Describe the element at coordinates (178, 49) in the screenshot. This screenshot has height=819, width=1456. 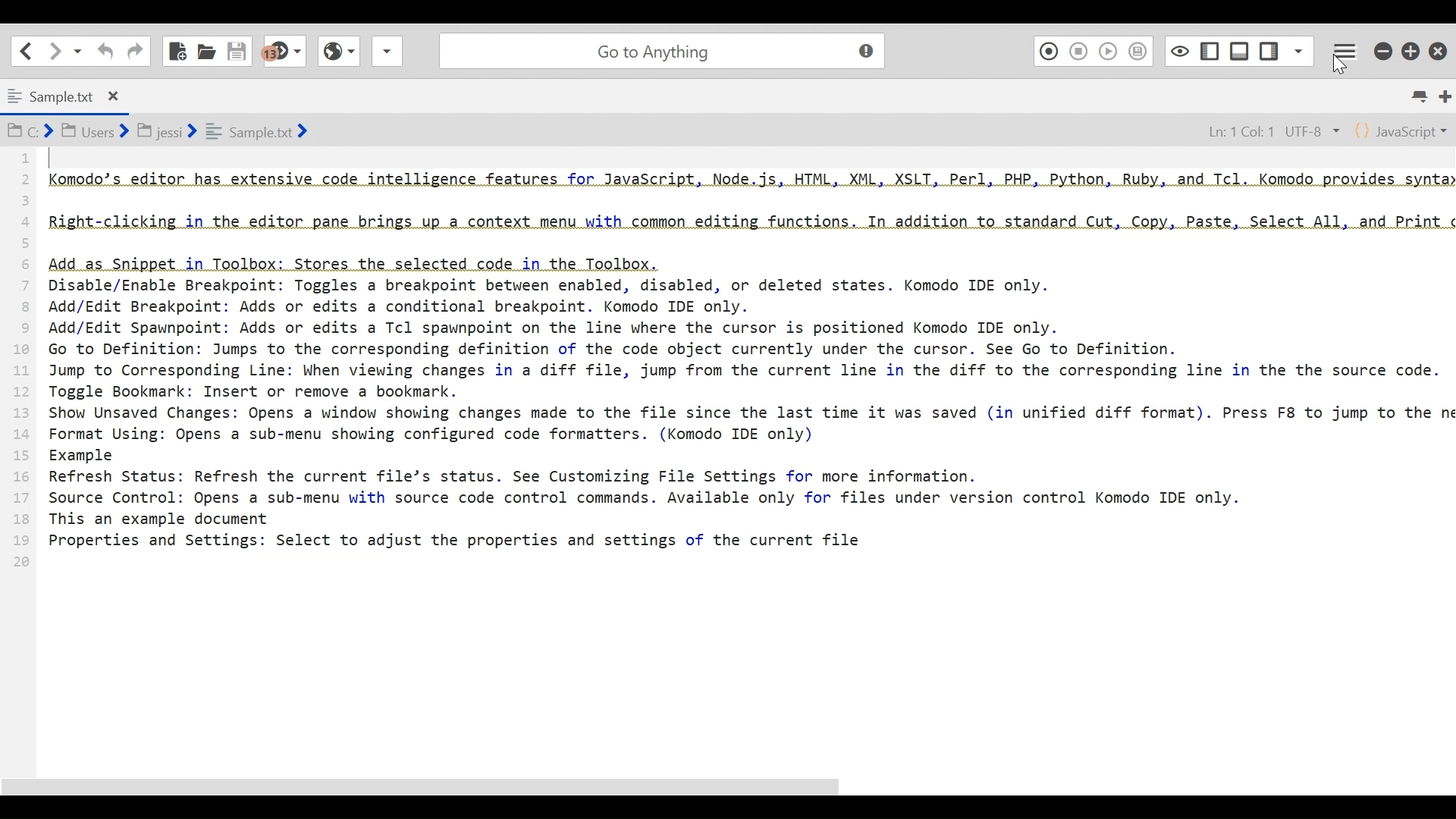
I see `New File` at that location.